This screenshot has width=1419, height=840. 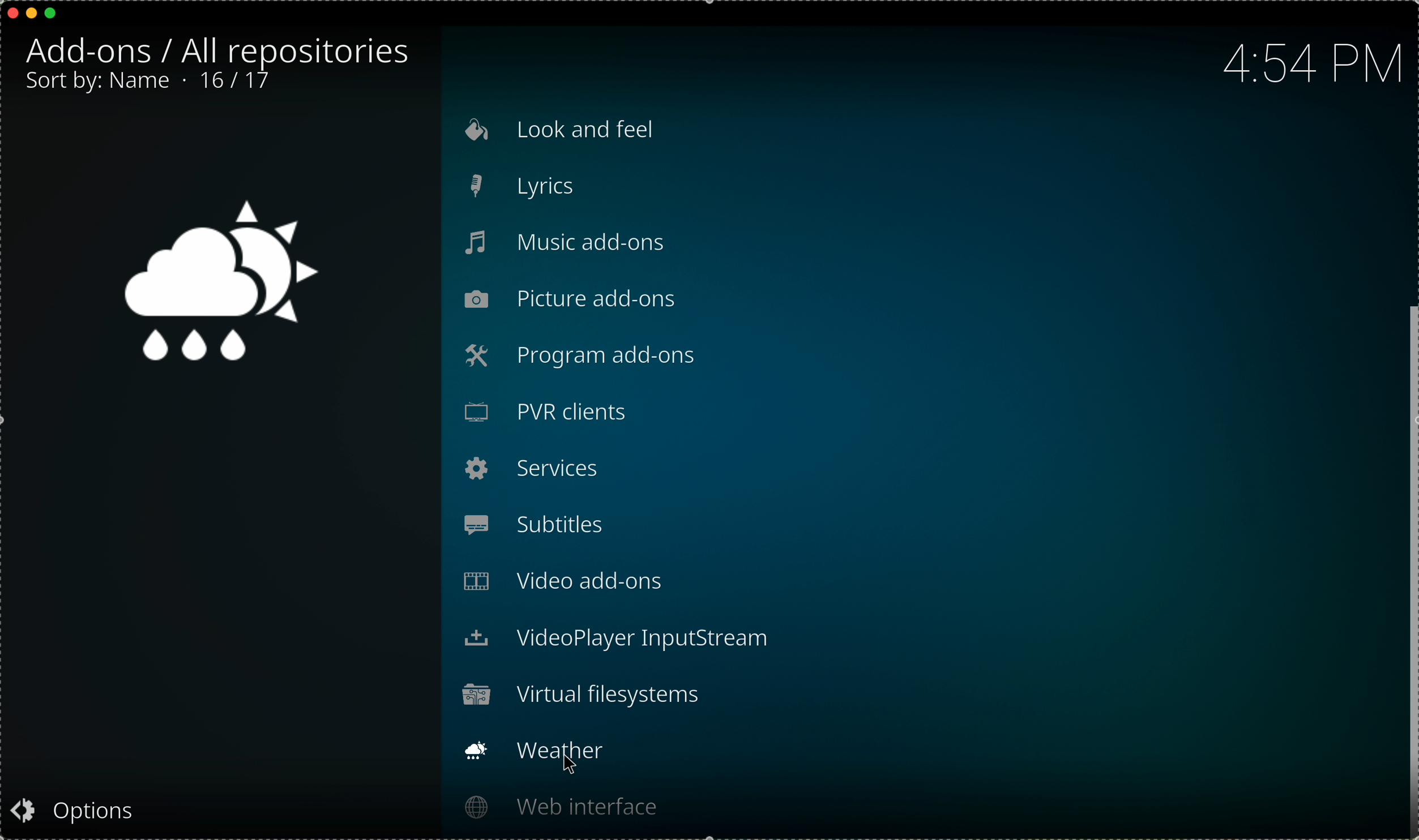 I want to click on lyrics, so click(x=574, y=187).